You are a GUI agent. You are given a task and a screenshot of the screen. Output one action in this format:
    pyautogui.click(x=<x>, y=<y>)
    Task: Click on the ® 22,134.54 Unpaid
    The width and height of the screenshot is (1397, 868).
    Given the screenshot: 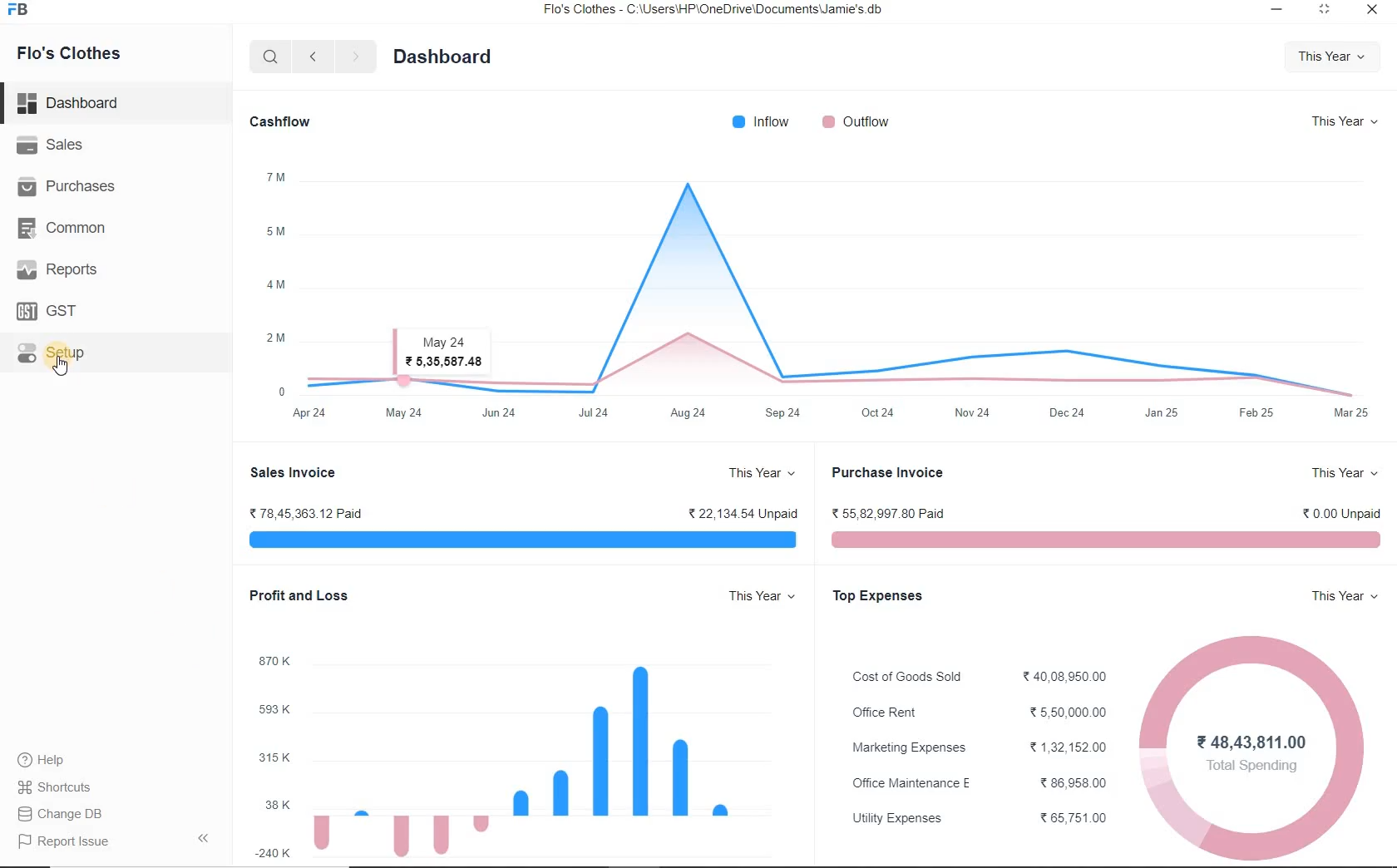 What is the action you would take?
    pyautogui.click(x=735, y=513)
    